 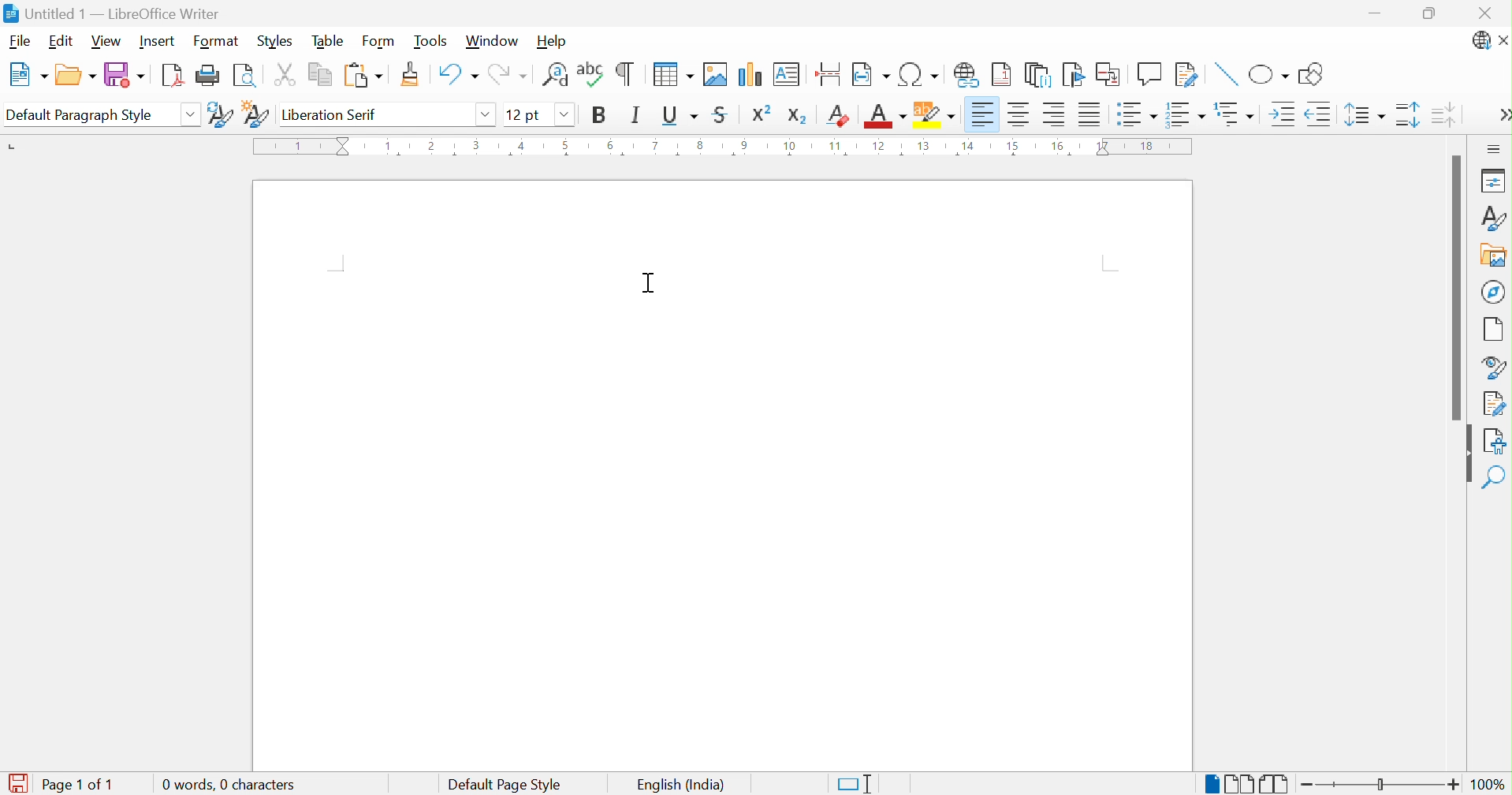 I want to click on Zoom in, so click(x=1449, y=783).